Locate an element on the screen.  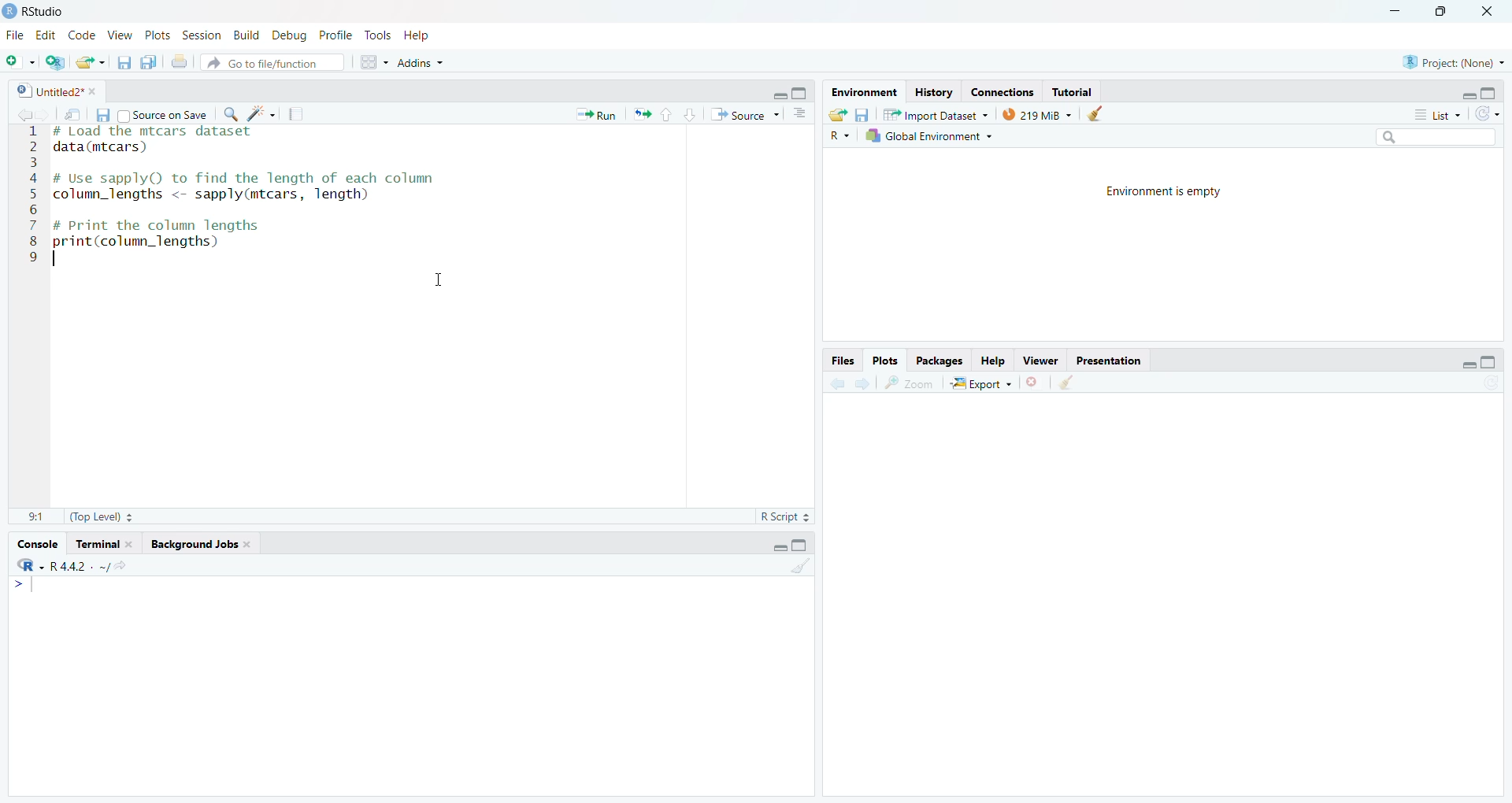
Full height is located at coordinates (802, 92).